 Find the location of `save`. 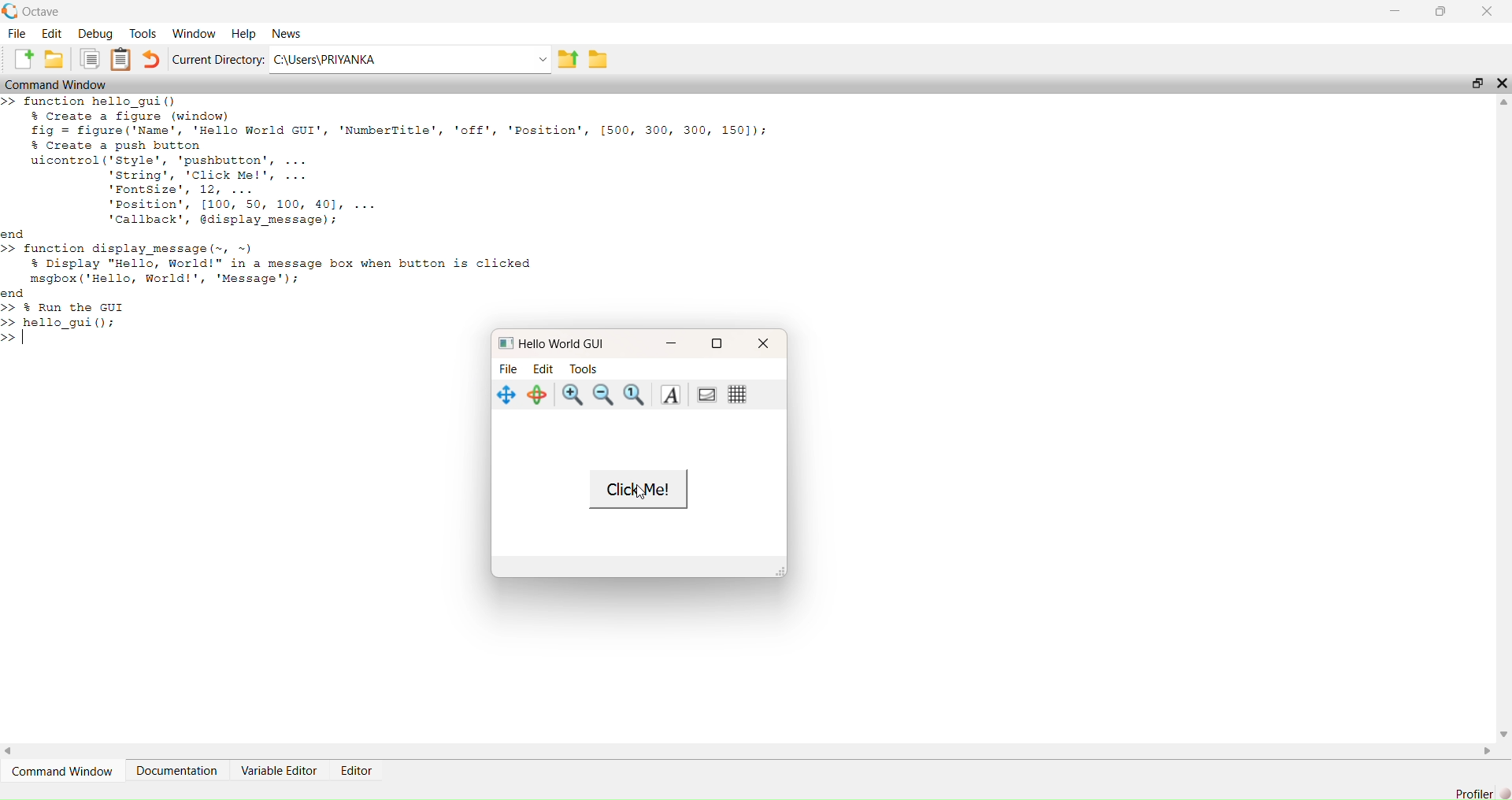

save is located at coordinates (600, 59).